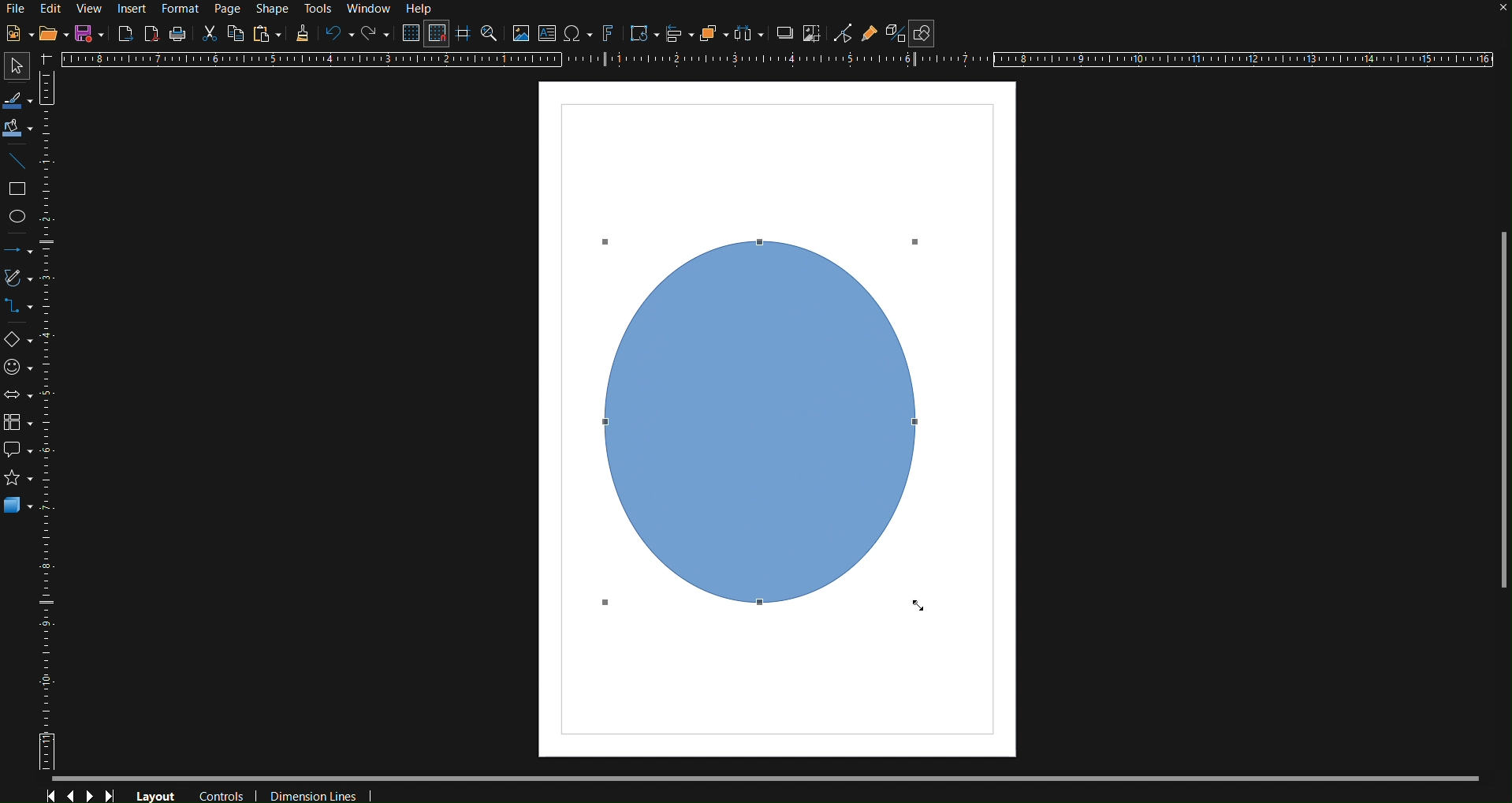  Describe the element at coordinates (54, 35) in the screenshot. I see `Open` at that location.